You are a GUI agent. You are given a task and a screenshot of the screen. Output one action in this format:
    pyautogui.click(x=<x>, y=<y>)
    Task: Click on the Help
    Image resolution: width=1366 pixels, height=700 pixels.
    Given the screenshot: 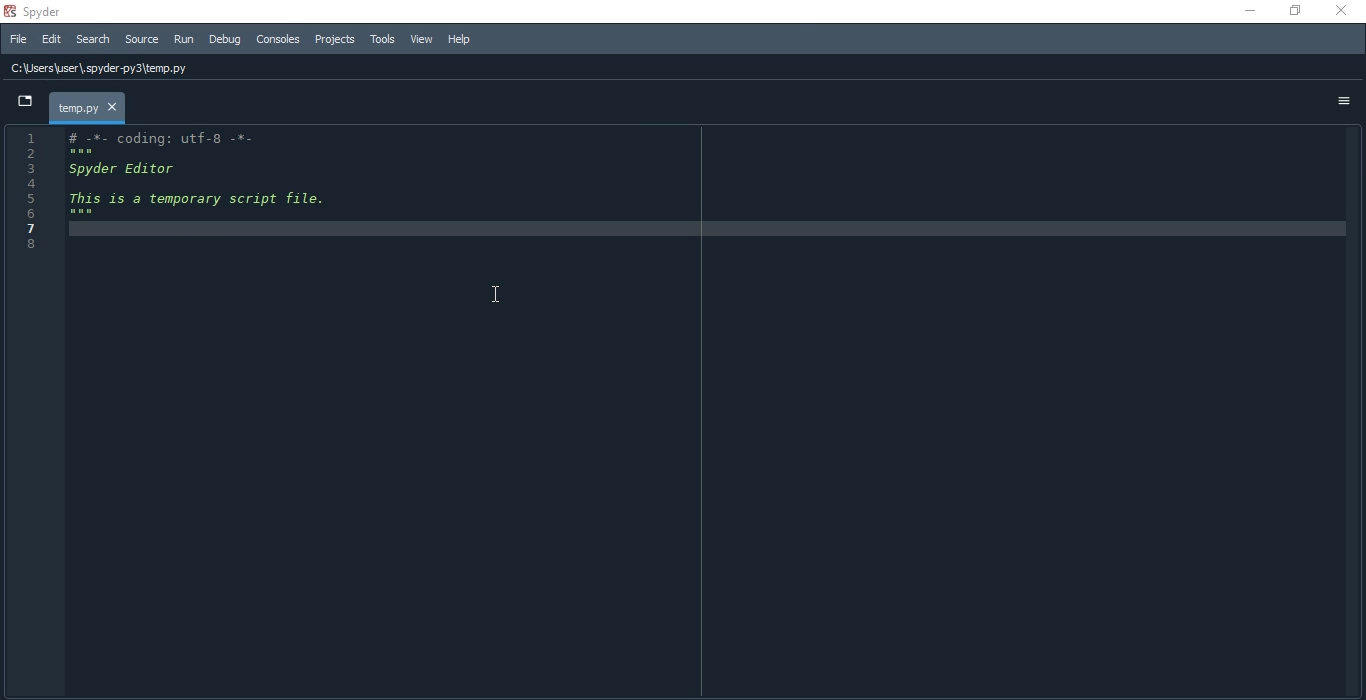 What is the action you would take?
    pyautogui.click(x=464, y=40)
    